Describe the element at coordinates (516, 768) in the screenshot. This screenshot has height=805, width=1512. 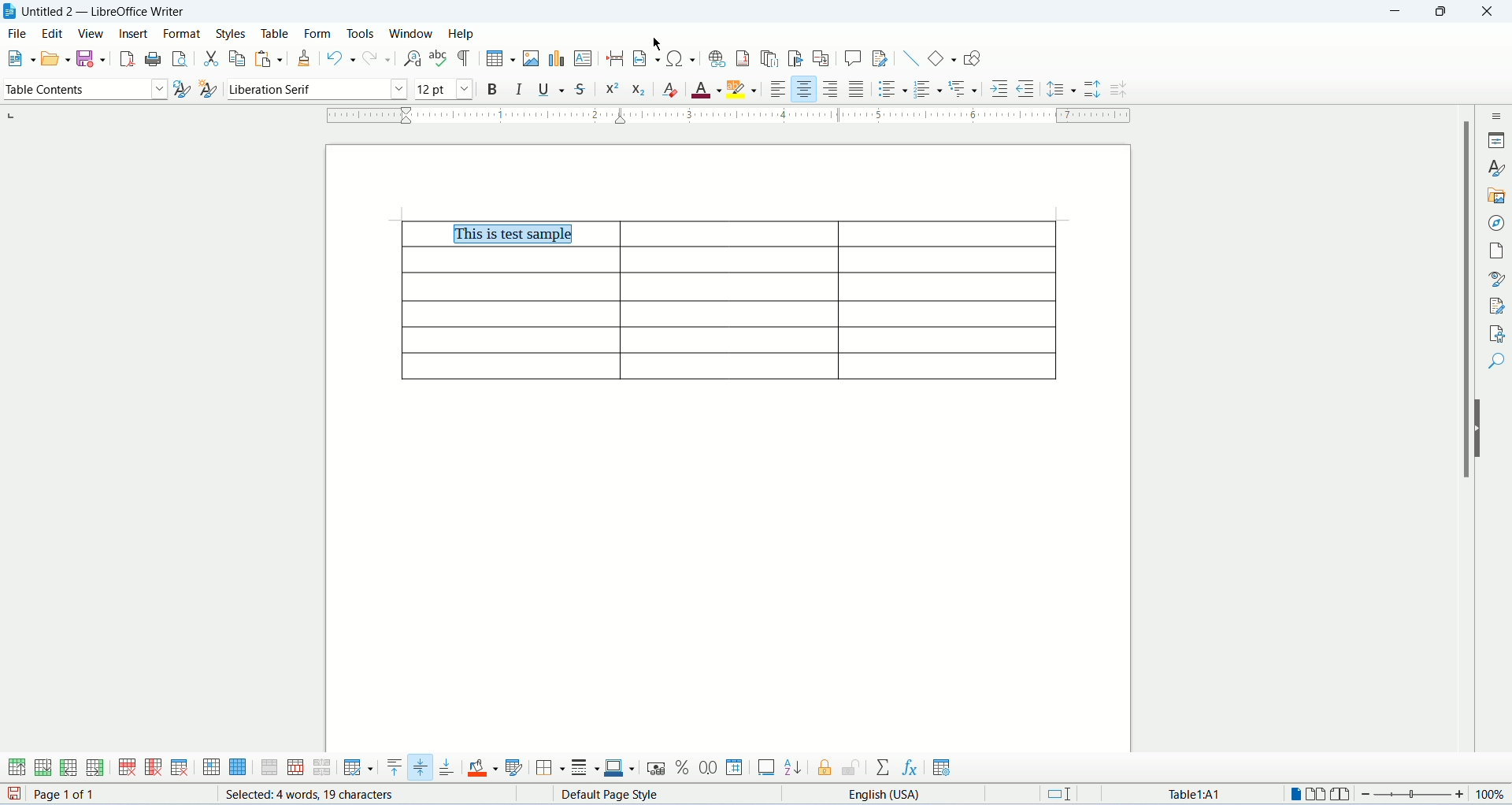
I see `autoformat styles` at that location.